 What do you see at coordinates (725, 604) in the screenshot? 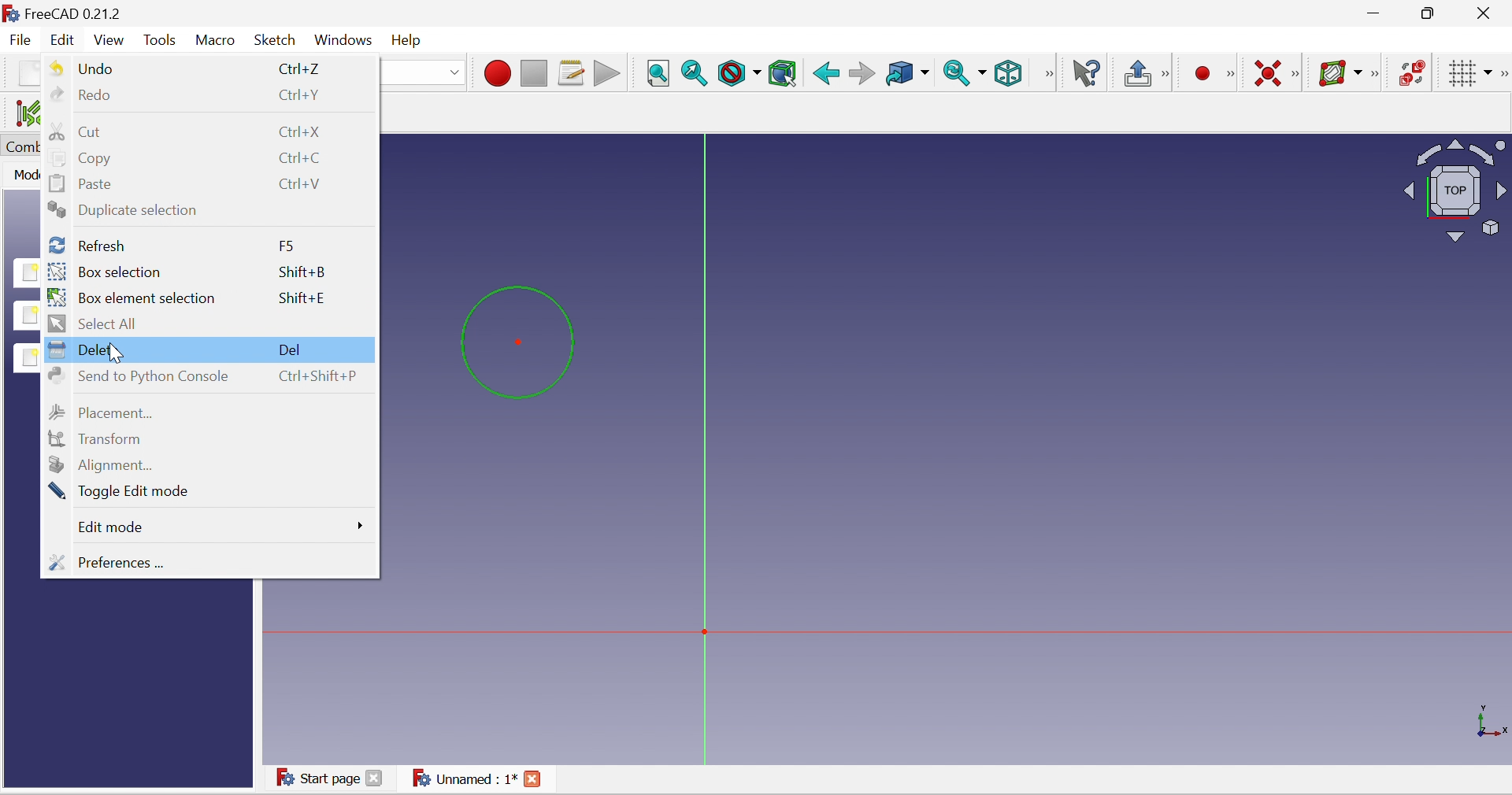
I see `Canvas element` at bounding box center [725, 604].